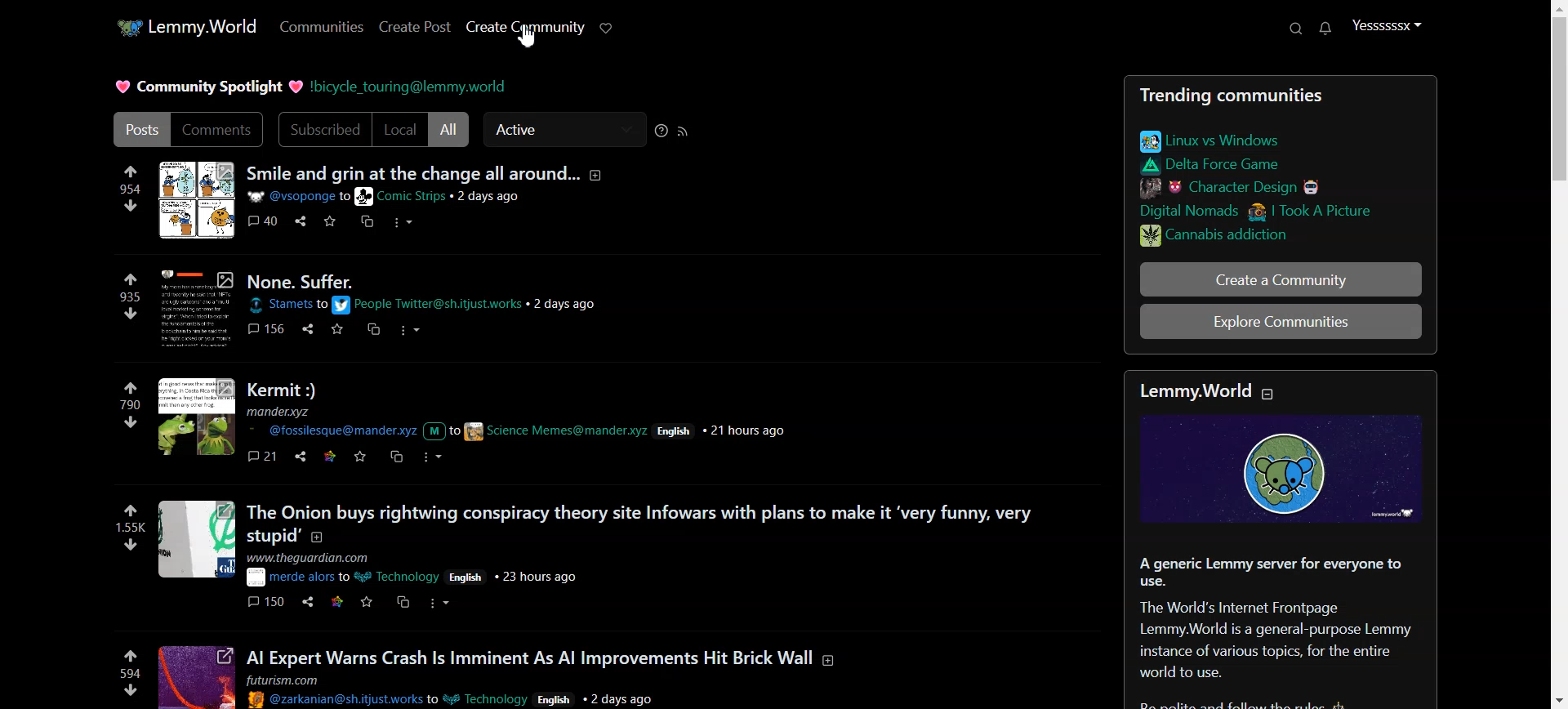 The image size is (1568, 709). What do you see at coordinates (1238, 279) in the screenshot?
I see `Create a Community` at bounding box center [1238, 279].